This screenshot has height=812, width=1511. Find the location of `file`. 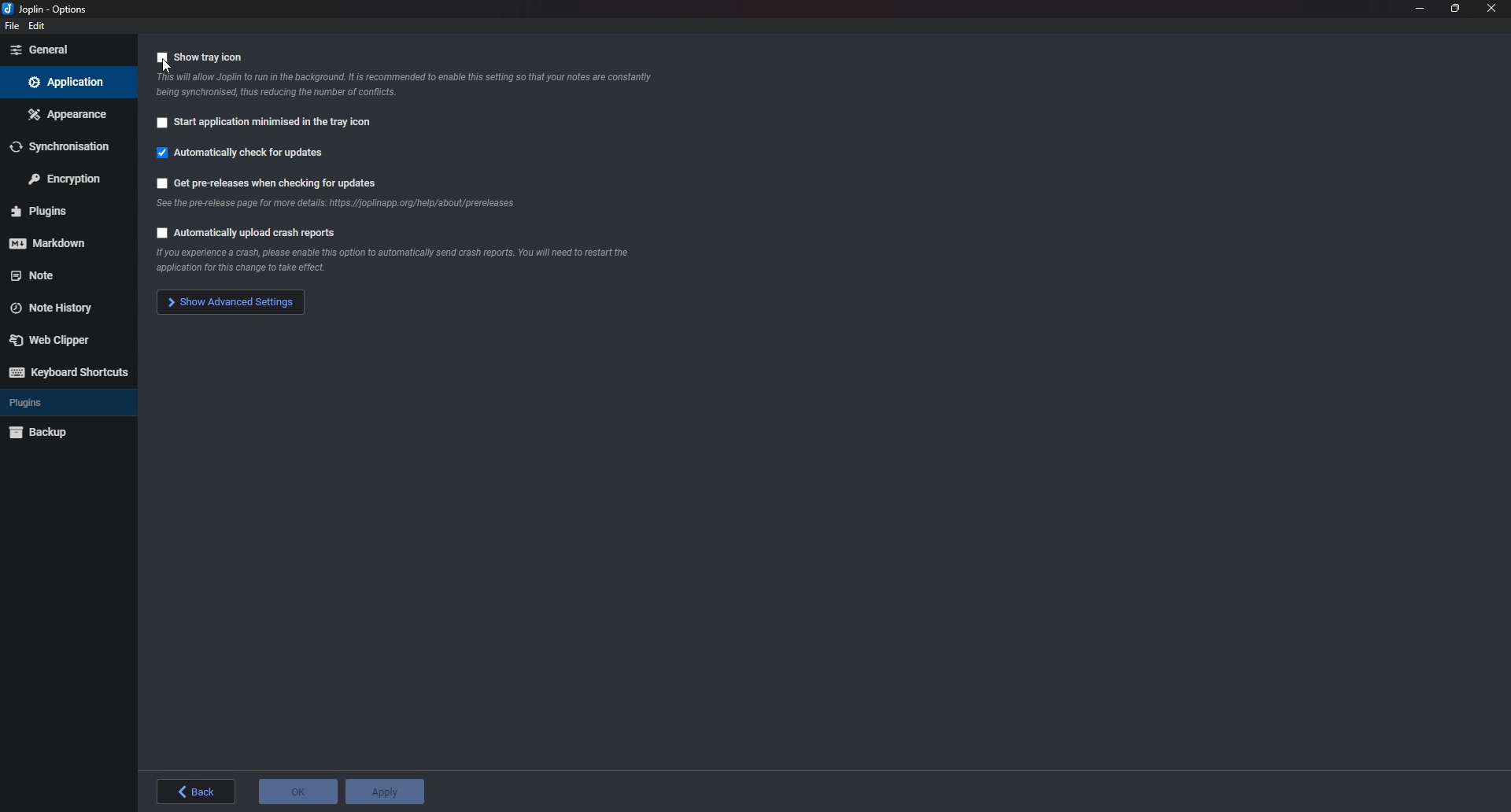

file is located at coordinates (10, 27).